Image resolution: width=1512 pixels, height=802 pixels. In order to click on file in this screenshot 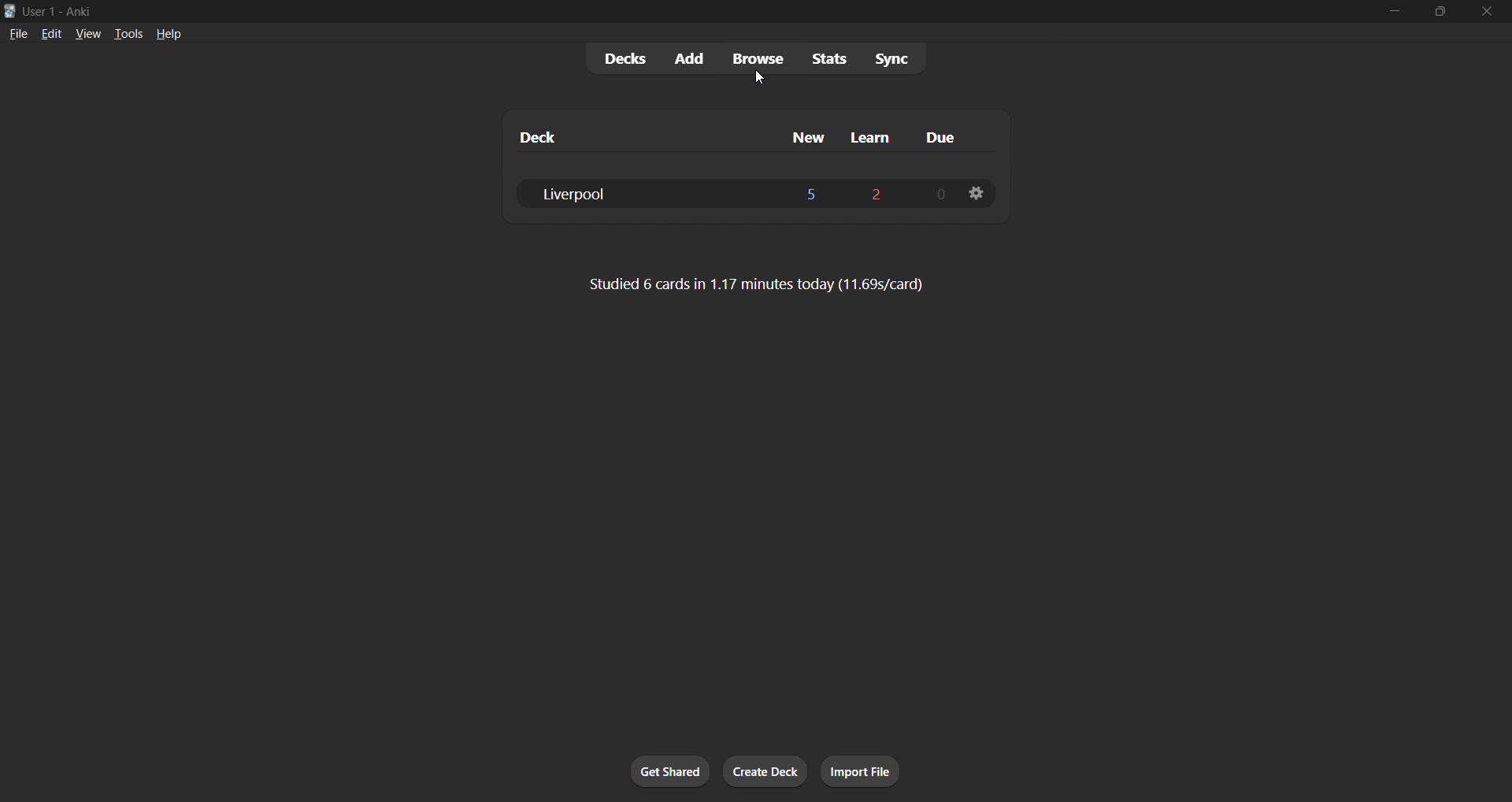, I will do `click(17, 34)`.